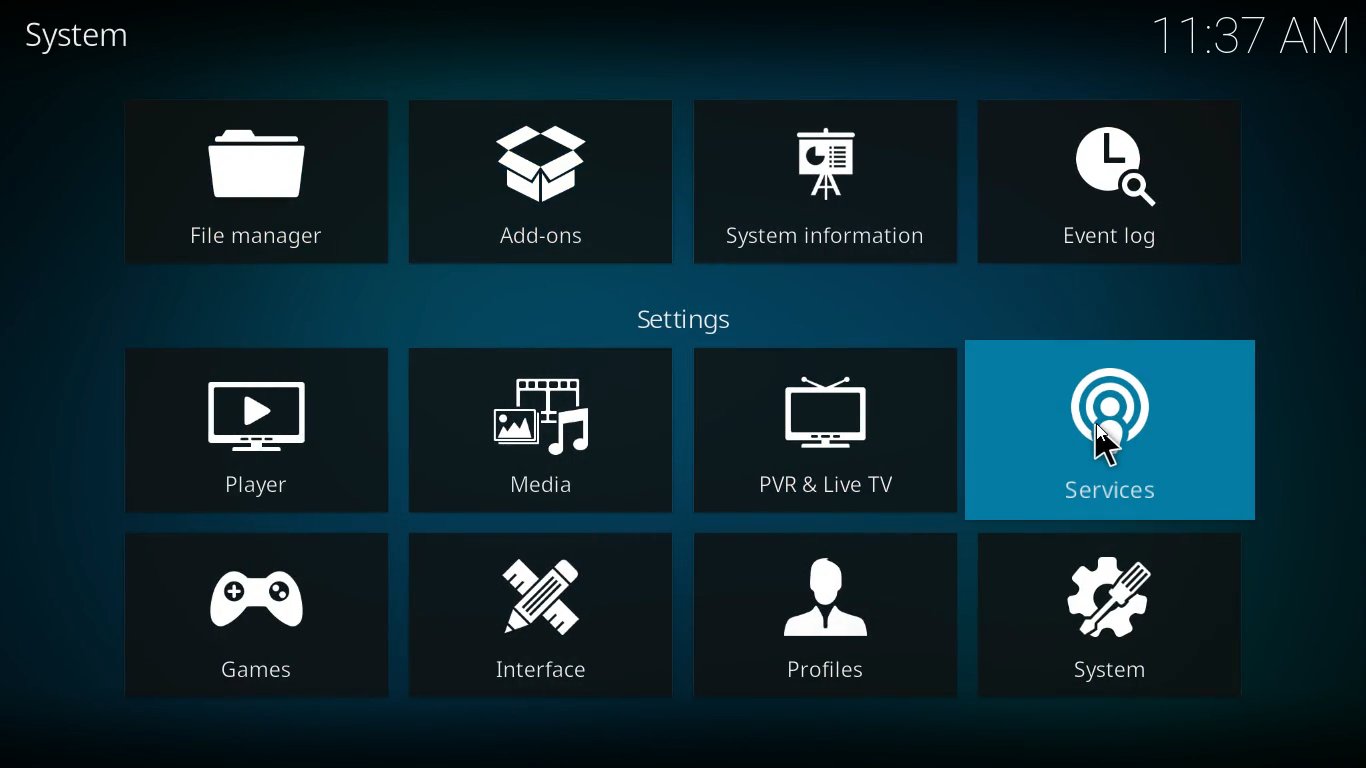 This screenshot has width=1366, height=768. What do you see at coordinates (820, 430) in the screenshot?
I see `pvr & live tv` at bounding box center [820, 430].